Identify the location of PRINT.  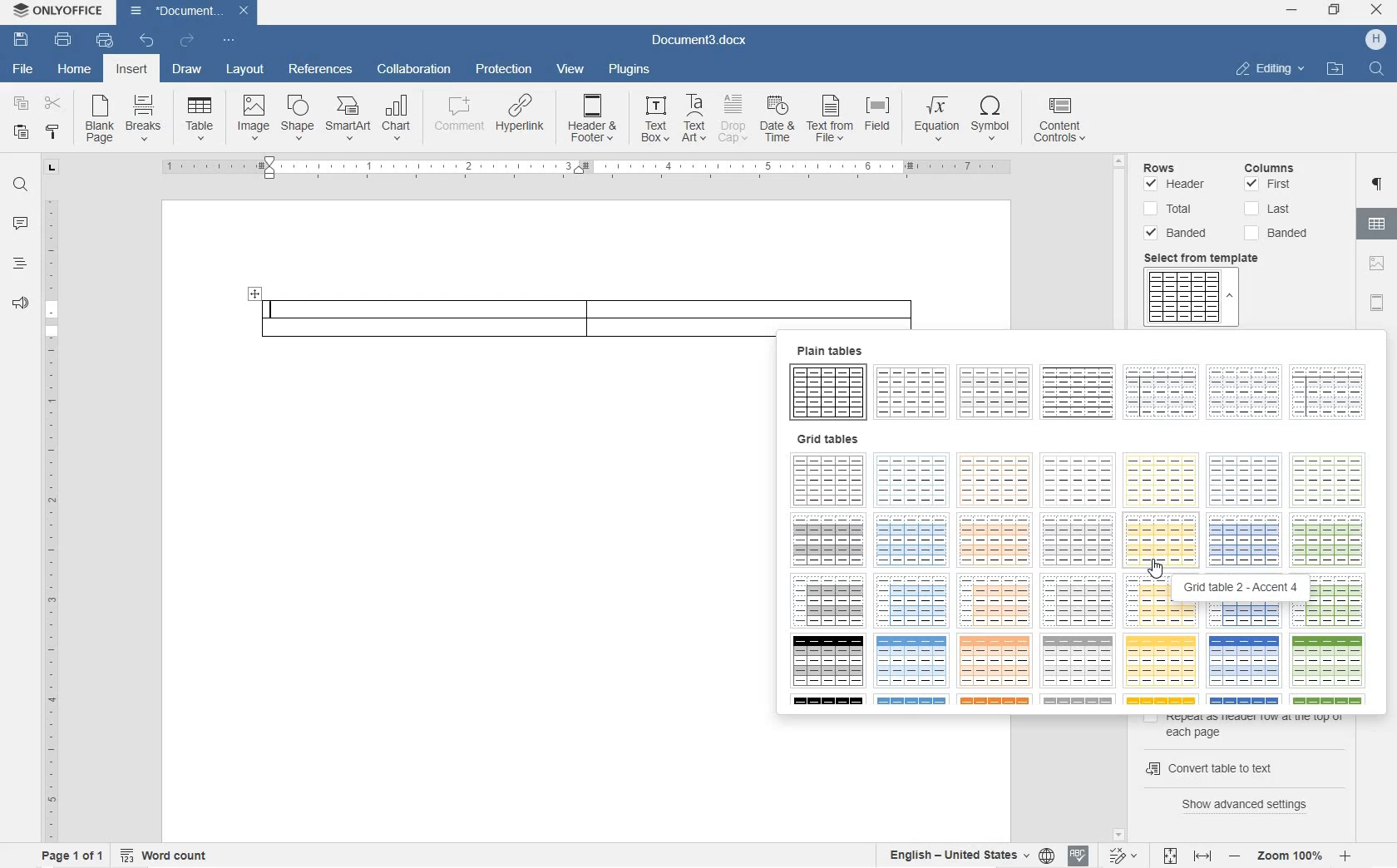
(64, 39).